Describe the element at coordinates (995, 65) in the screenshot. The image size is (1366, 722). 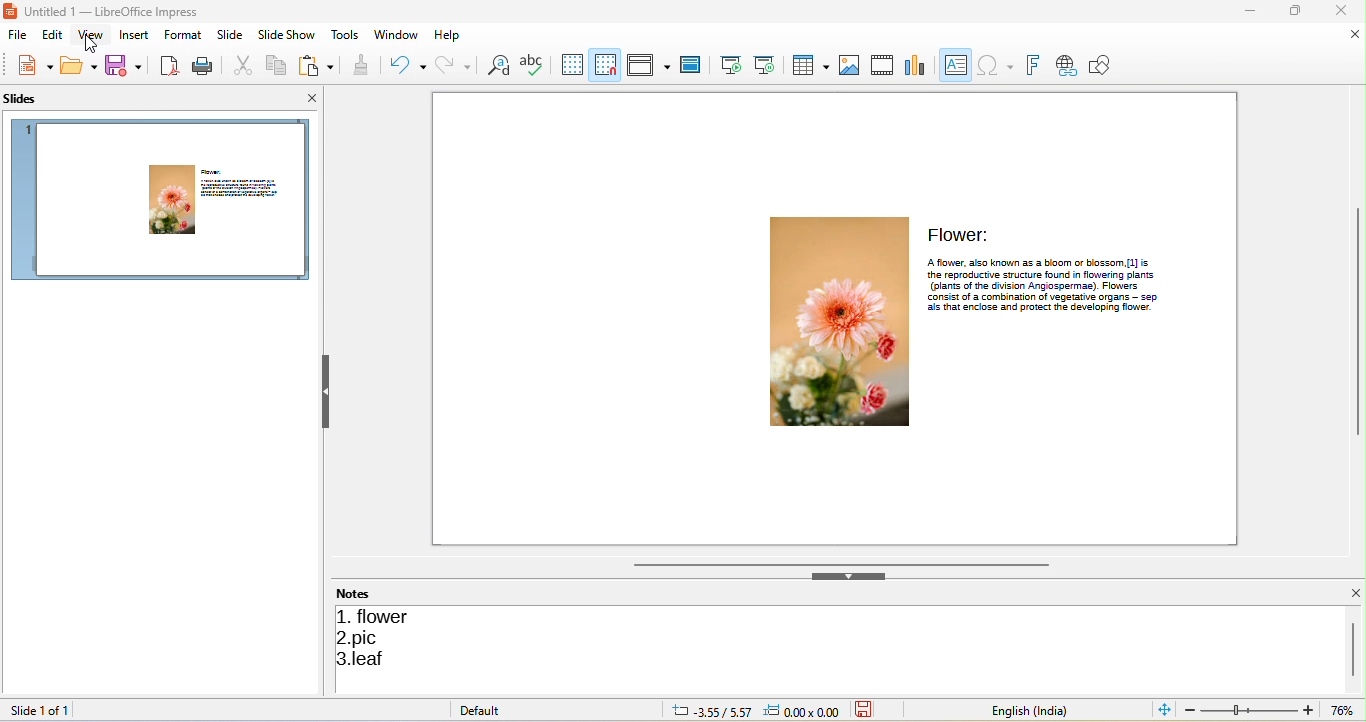
I see `special  character` at that location.